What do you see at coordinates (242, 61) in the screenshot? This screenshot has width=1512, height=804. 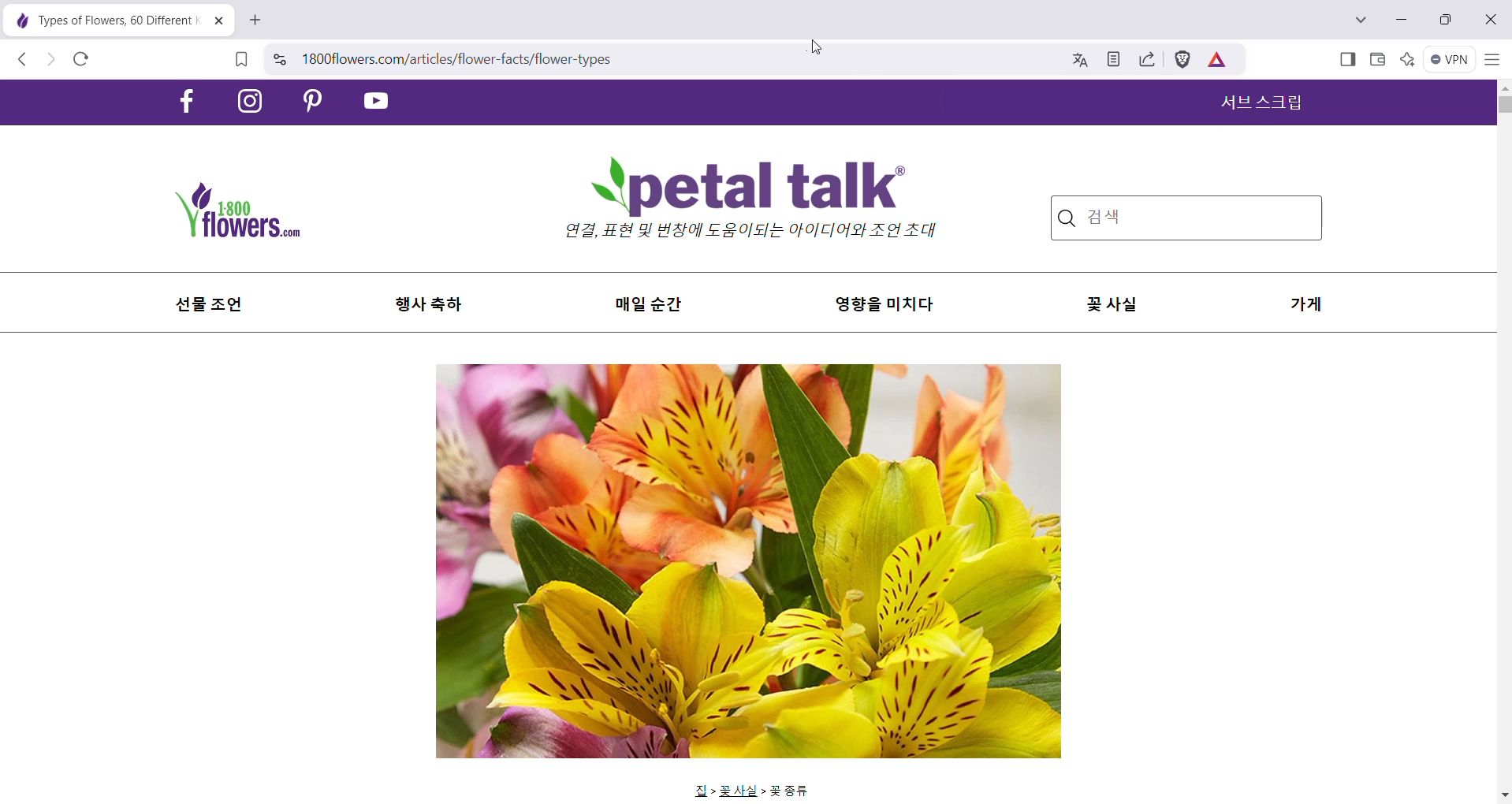 I see `Bookmark this page` at bounding box center [242, 61].